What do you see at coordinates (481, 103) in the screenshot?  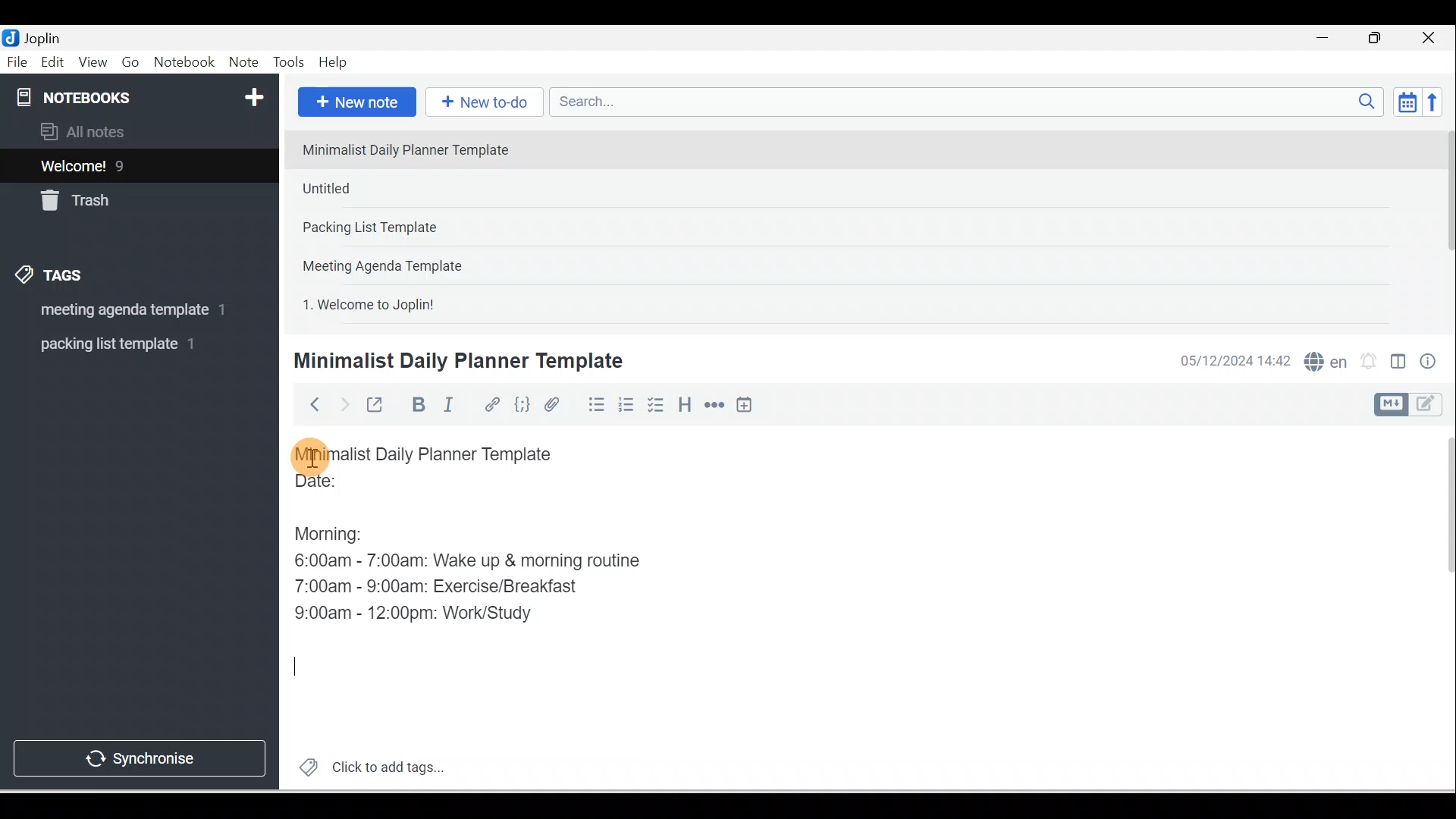 I see `New to-do` at bounding box center [481, 103].